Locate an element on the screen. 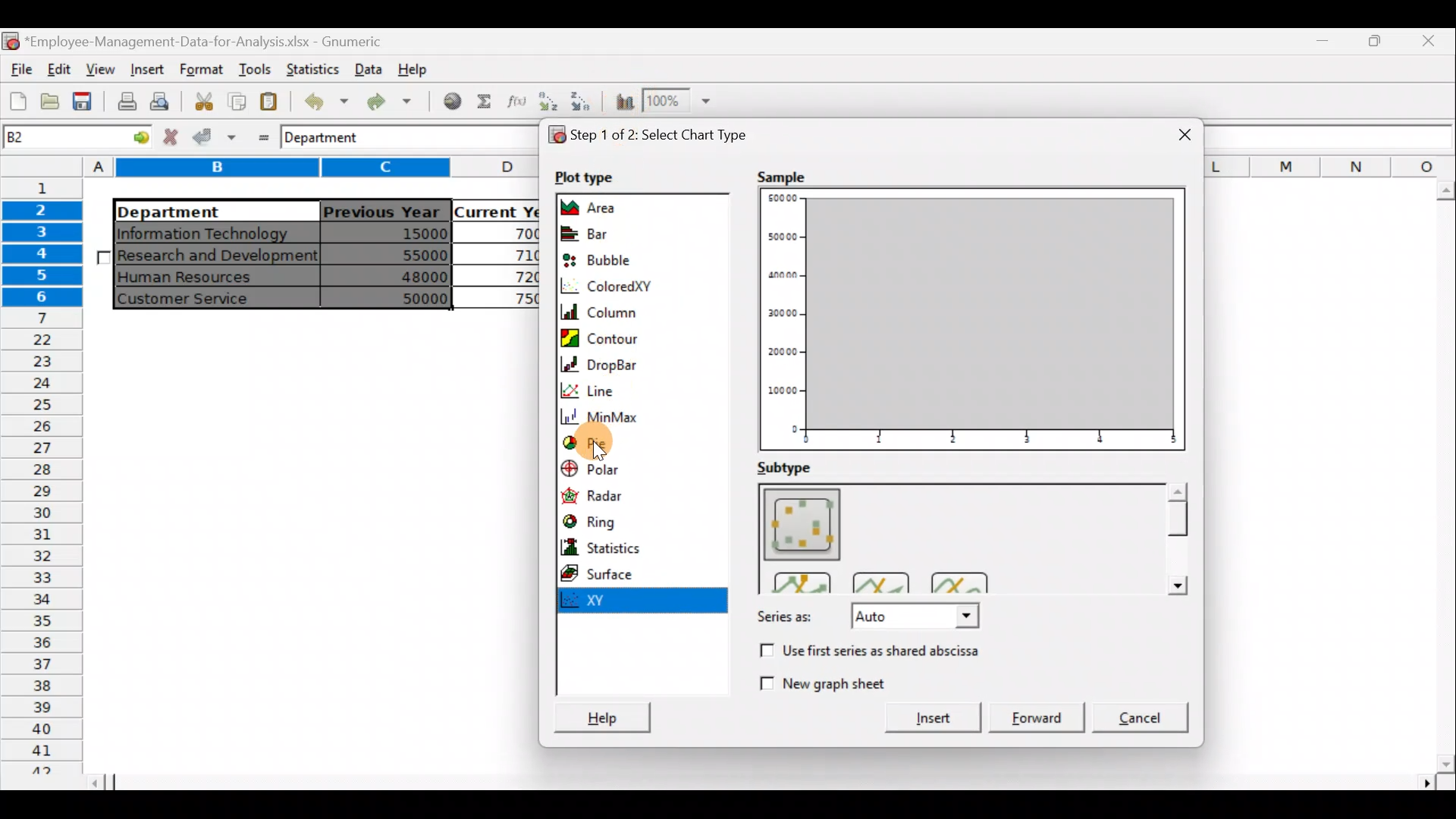 The height and width of the screenshot is (819, 1456). Paste the clipboard is located at coordinates (272, 102).